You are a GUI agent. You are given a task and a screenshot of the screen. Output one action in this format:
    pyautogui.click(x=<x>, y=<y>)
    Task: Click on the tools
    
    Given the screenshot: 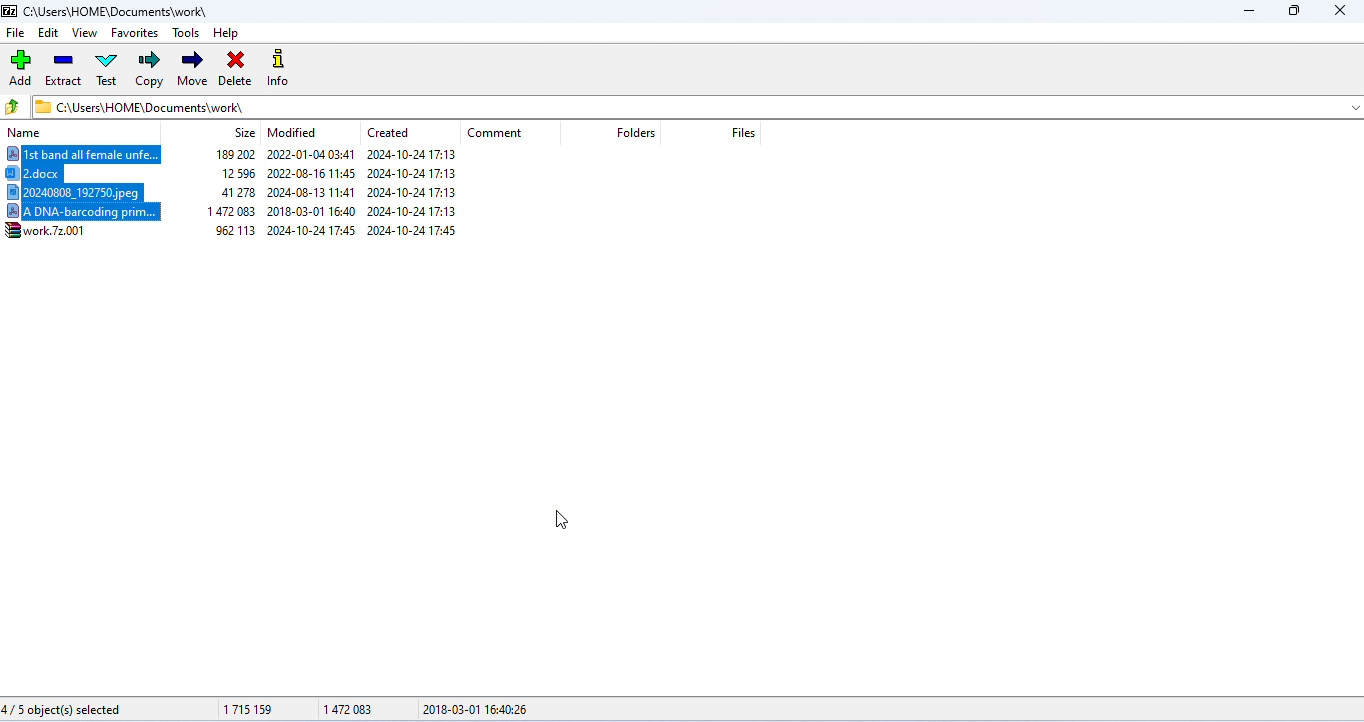 What is the action you would take?
    pyautogui.click(x=188, y=32)
    